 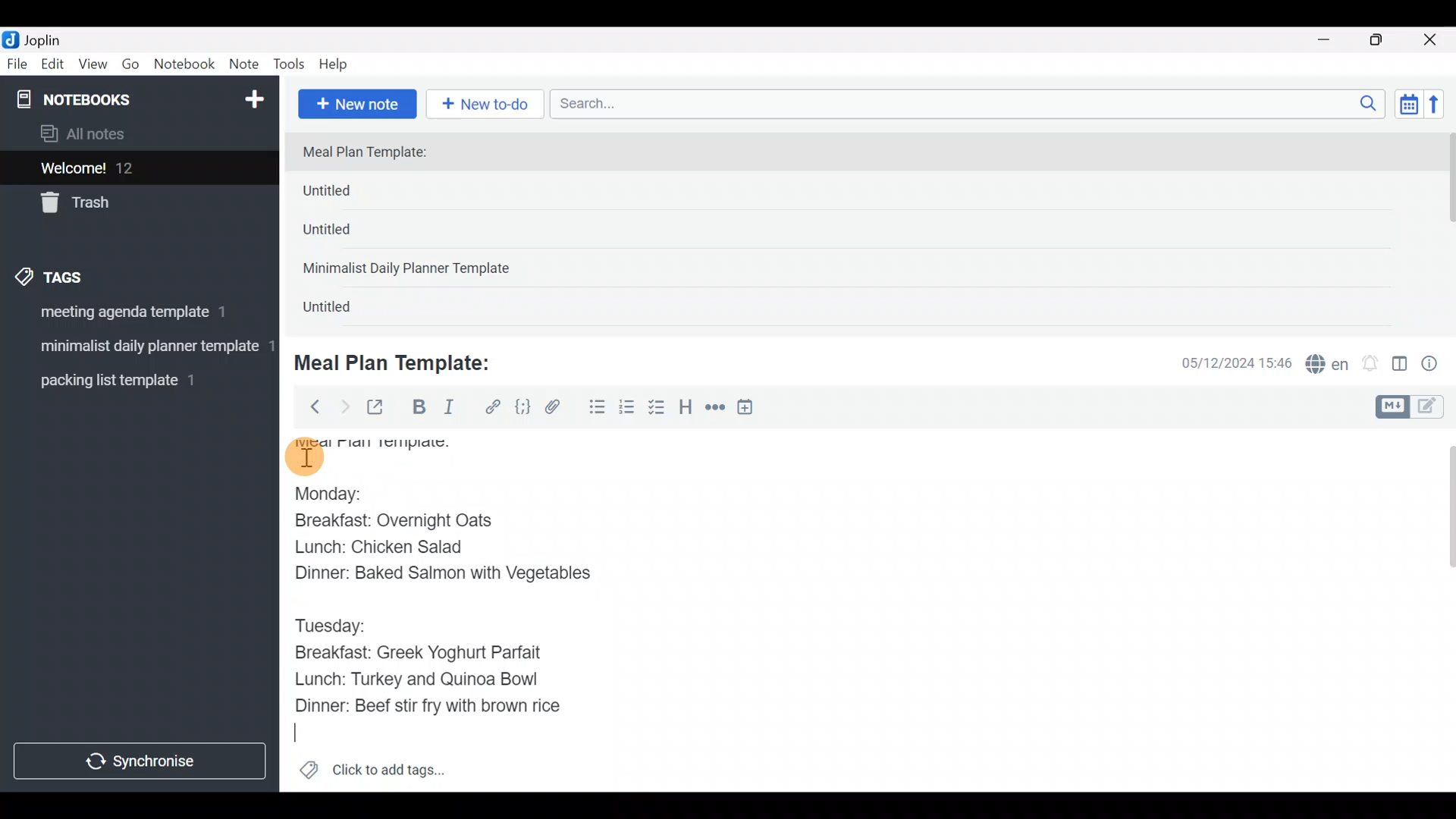 What do you see at coordinates (185, 64) in the screenshot?
I see `Notebook` at bounding box center [185, 64].